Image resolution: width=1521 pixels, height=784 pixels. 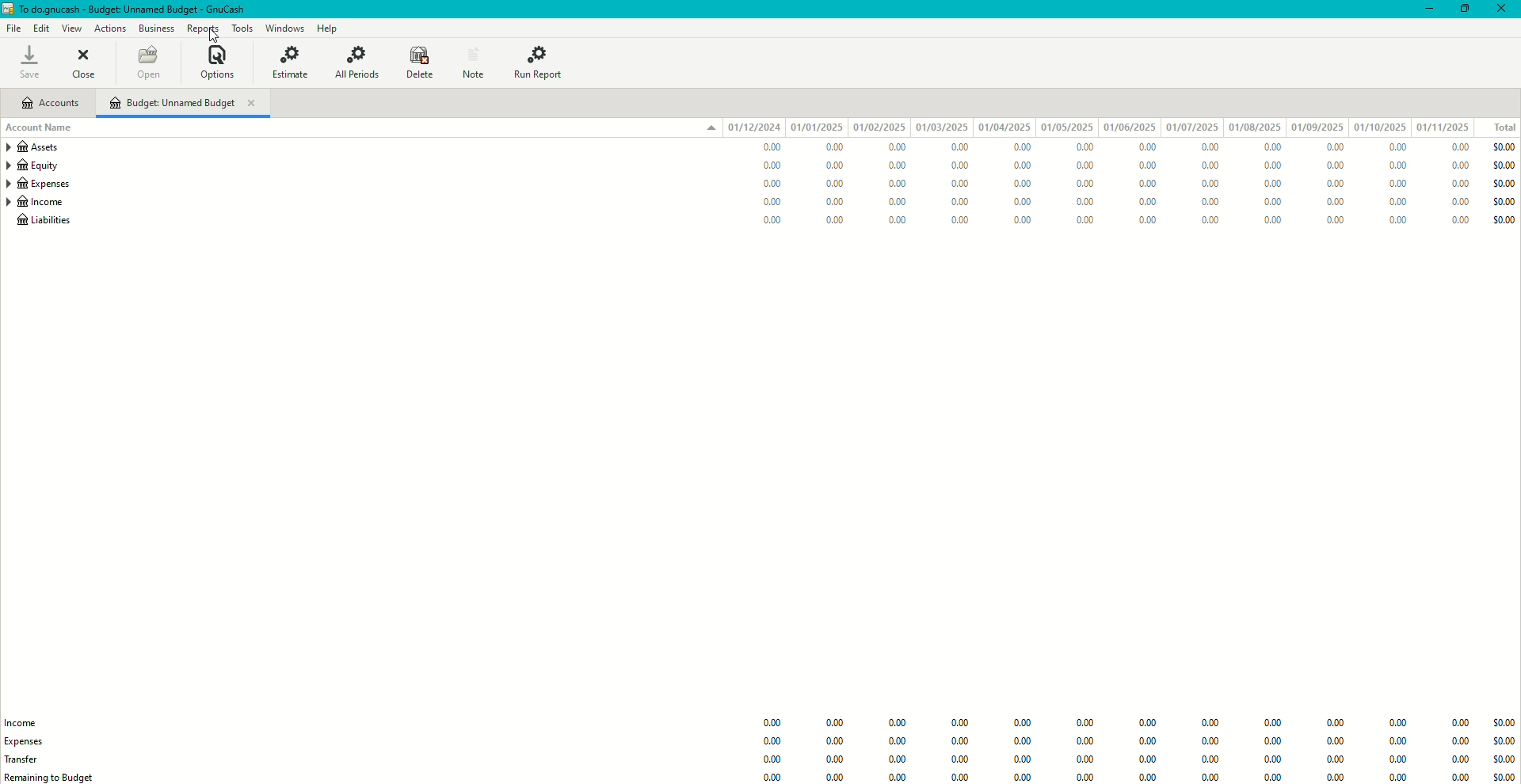 I want to click on Income, so click(x=29, y=721).